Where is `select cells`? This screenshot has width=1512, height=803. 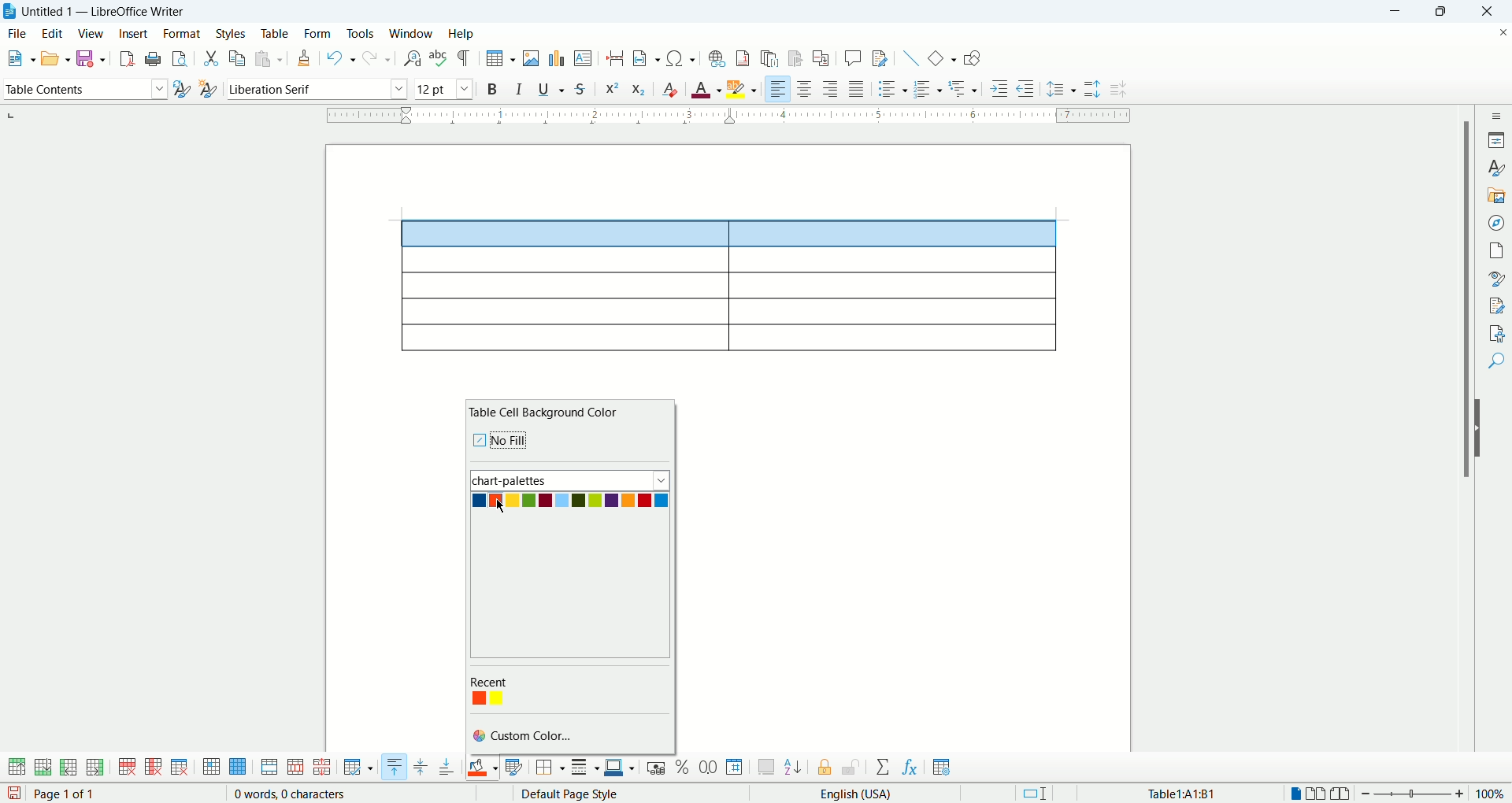
select cells is located at coordinates (211, 768).